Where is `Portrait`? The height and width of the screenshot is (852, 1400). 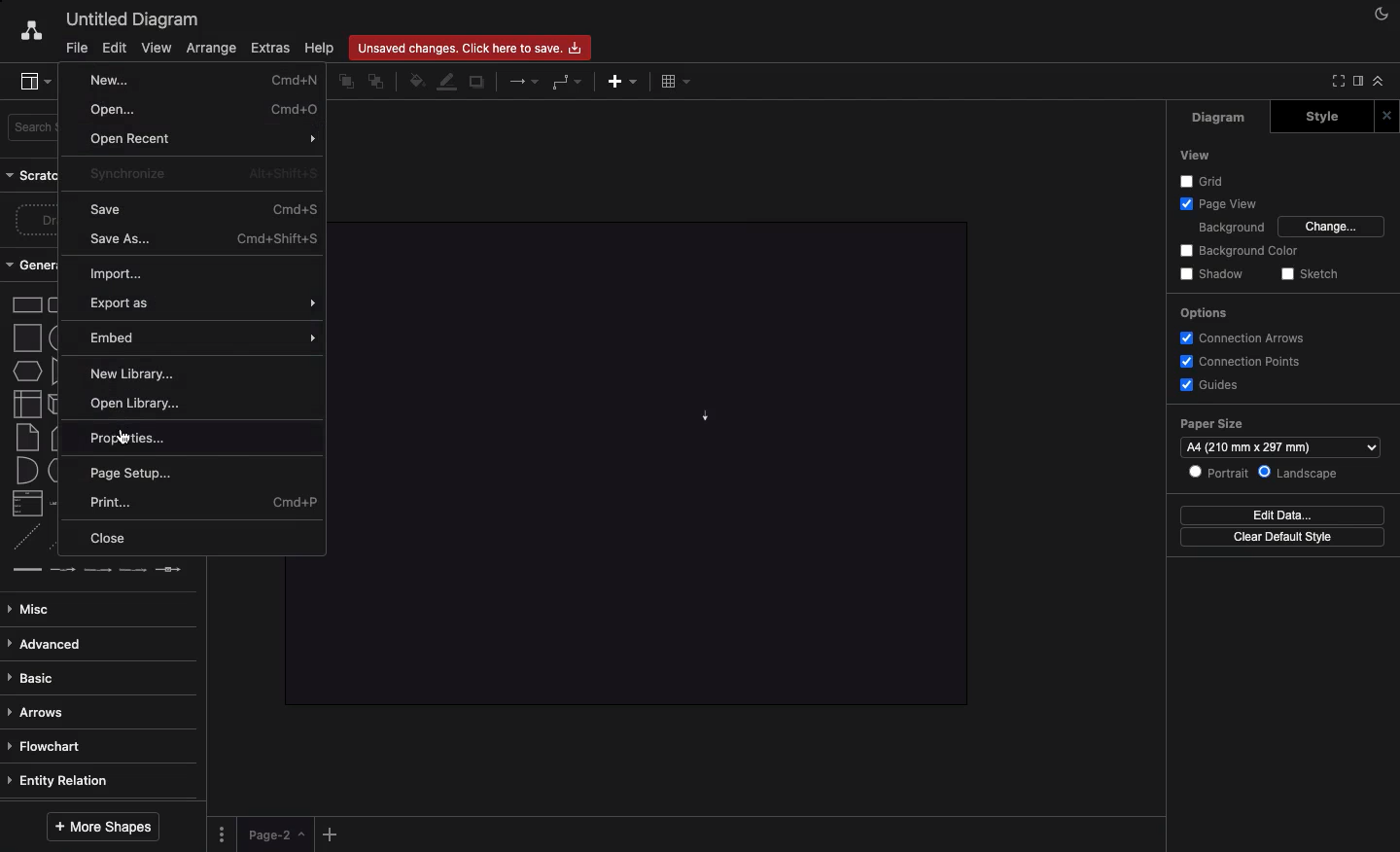
Portrait is located at coordinates (1217, 472).